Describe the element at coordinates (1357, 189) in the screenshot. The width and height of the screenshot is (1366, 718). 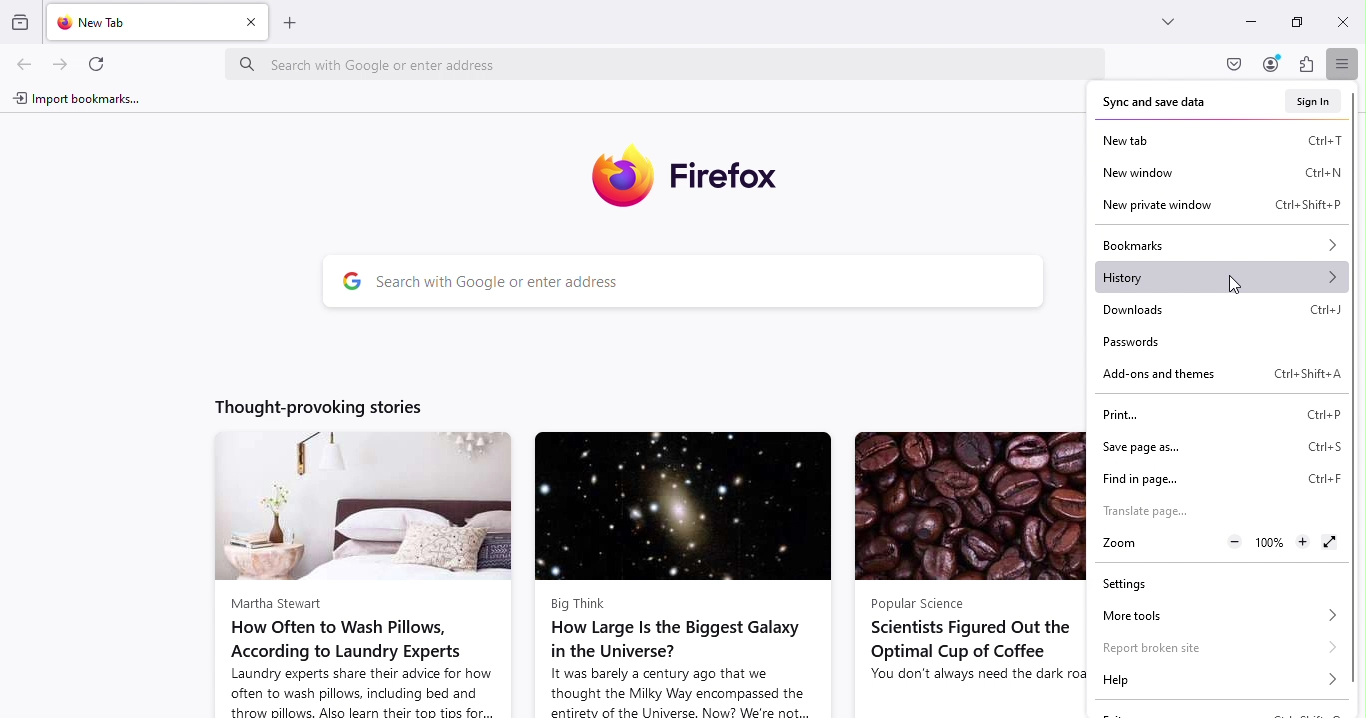
I see `vertical scrollbar` at that location.